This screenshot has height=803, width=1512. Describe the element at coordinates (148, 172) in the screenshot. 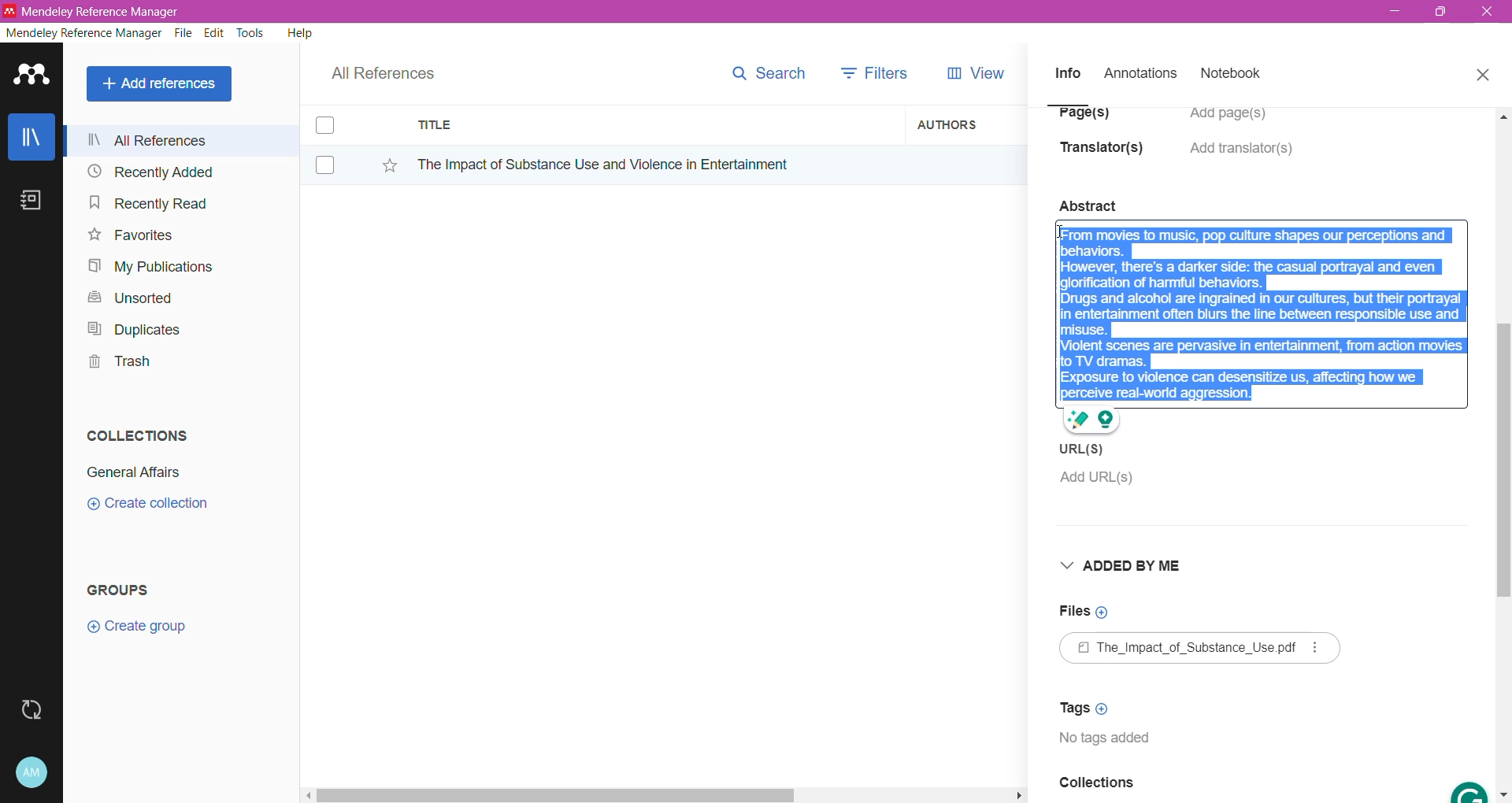

I see `Recently Added` at that location.